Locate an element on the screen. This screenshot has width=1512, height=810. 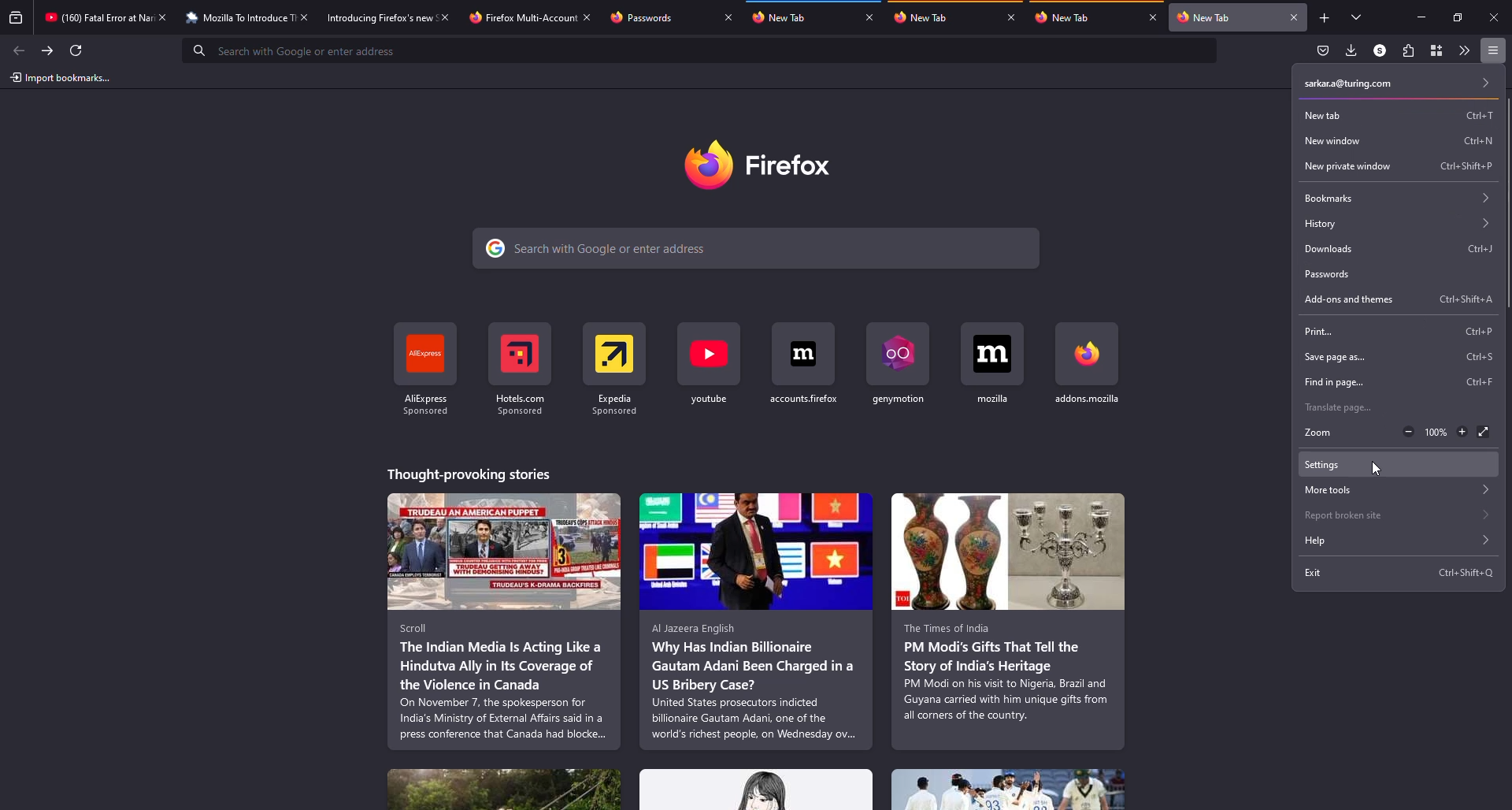
close is located at coordinates (1151, 18).